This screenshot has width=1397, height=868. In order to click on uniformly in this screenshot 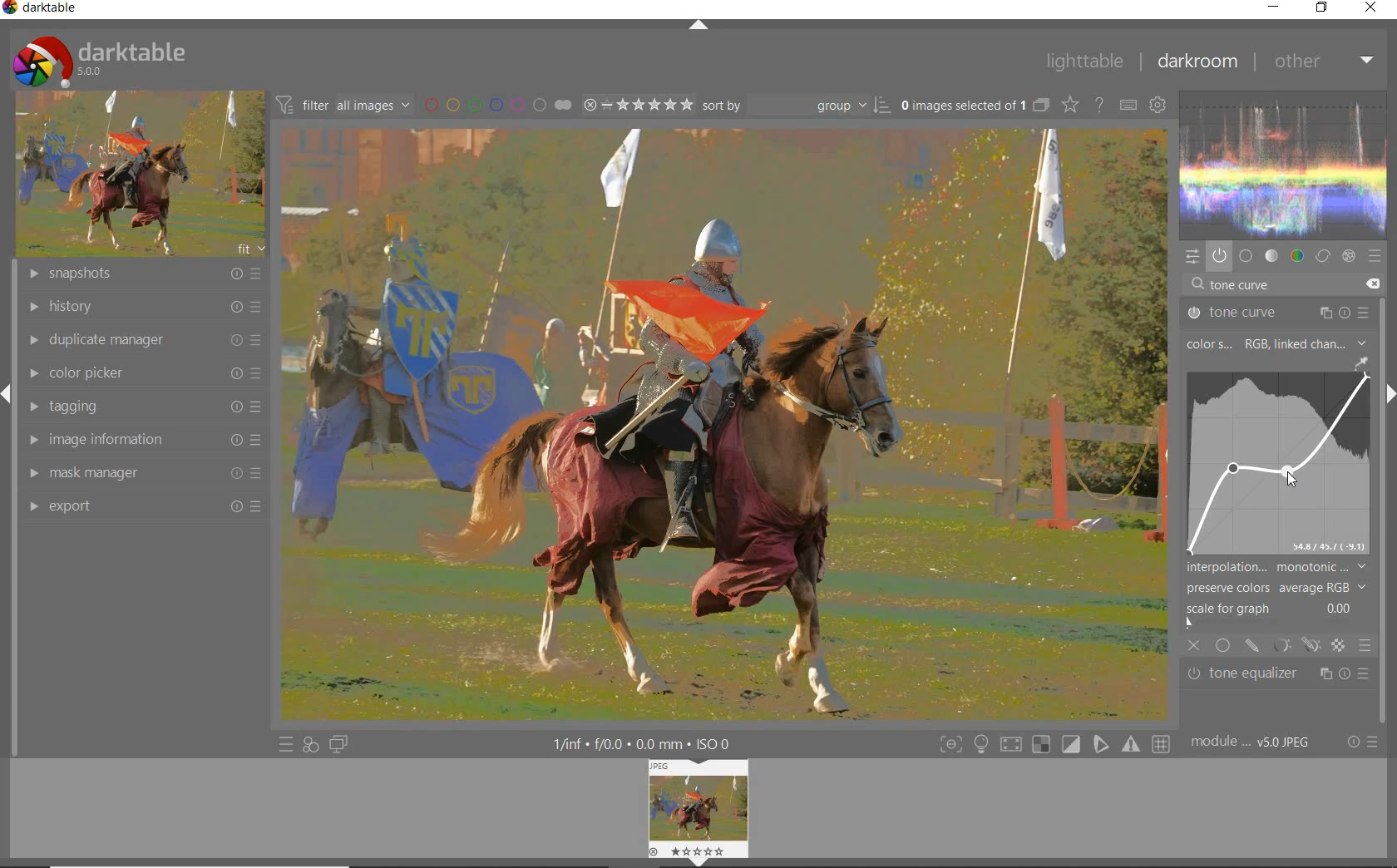, I will do `click(1224, 645)`.